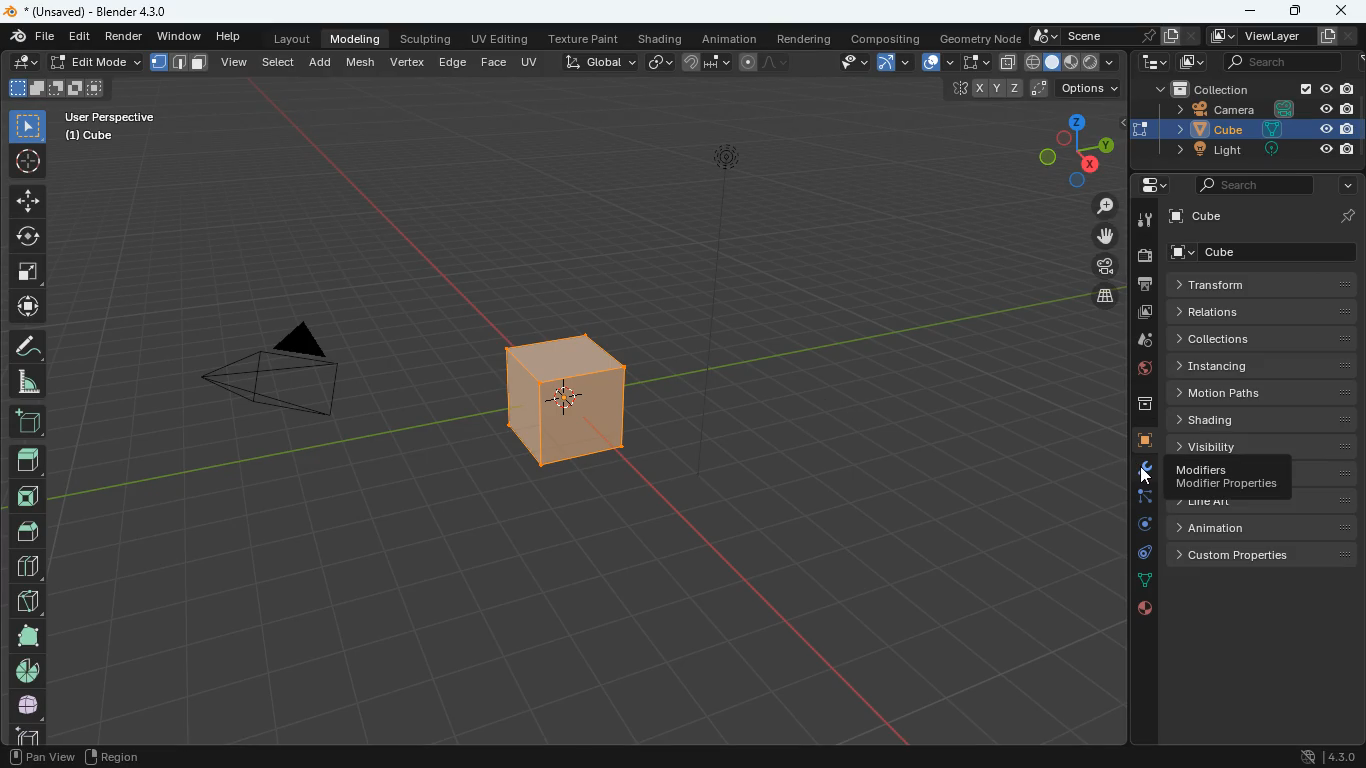  What do you see at coordinates (1101, 237) in the screenshot?
I see `move` at bounding box center [1101, 237].